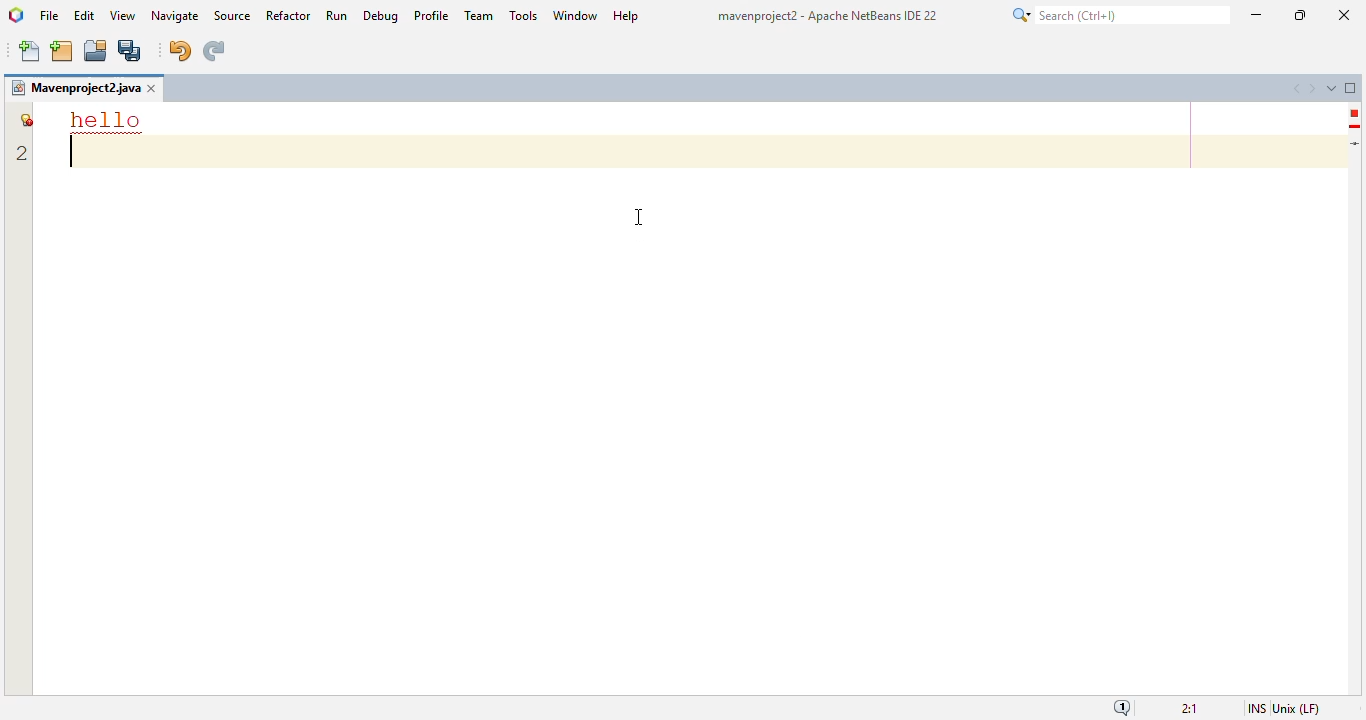 The image size is (1366, 720). Describe the element at coordinates (75, 88) in the screenshot. I see `project name` at that location.